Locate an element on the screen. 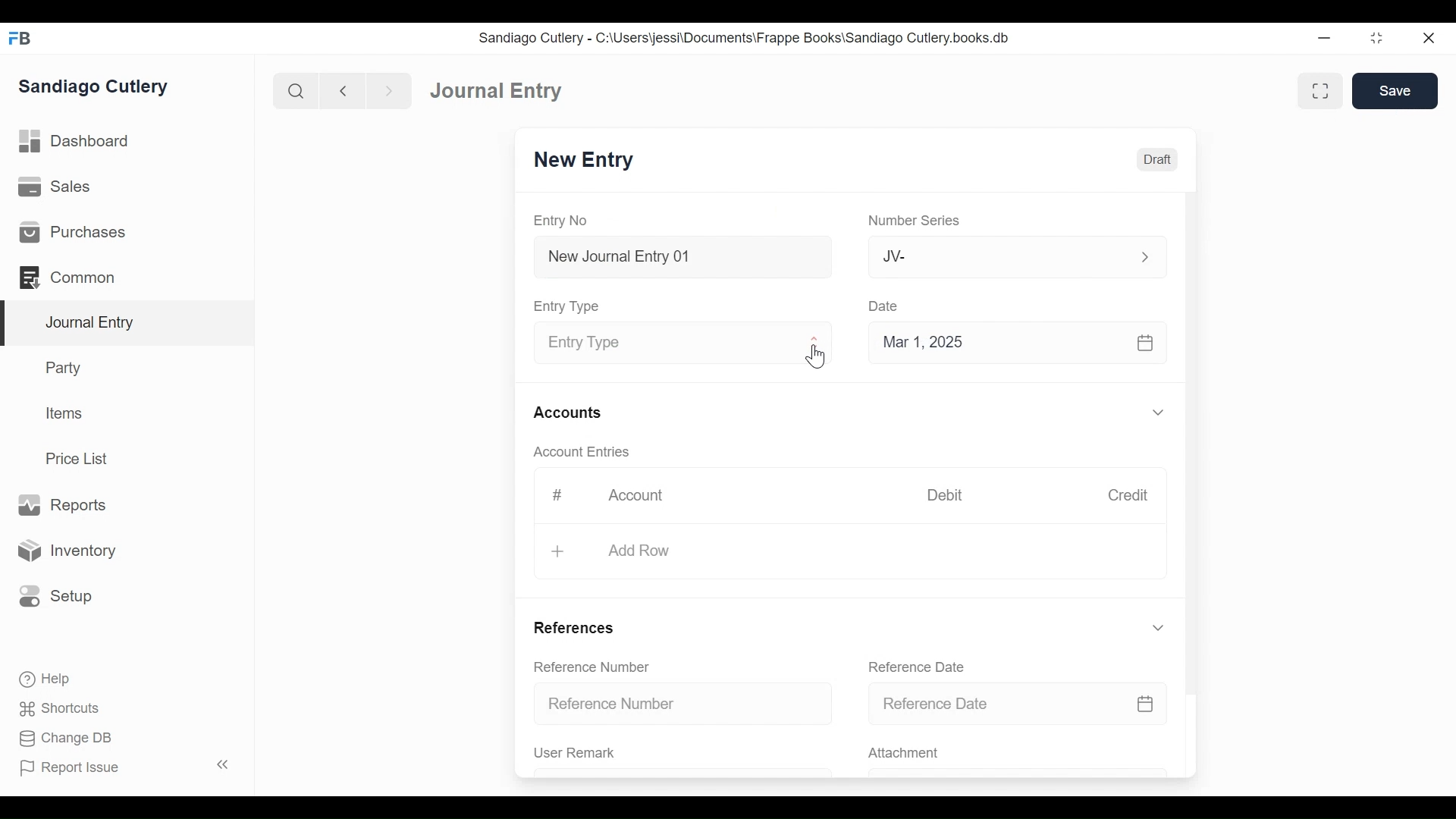 The width and height of the screenshot is (1456, 819). cursor is located at coordinates (819, 356).